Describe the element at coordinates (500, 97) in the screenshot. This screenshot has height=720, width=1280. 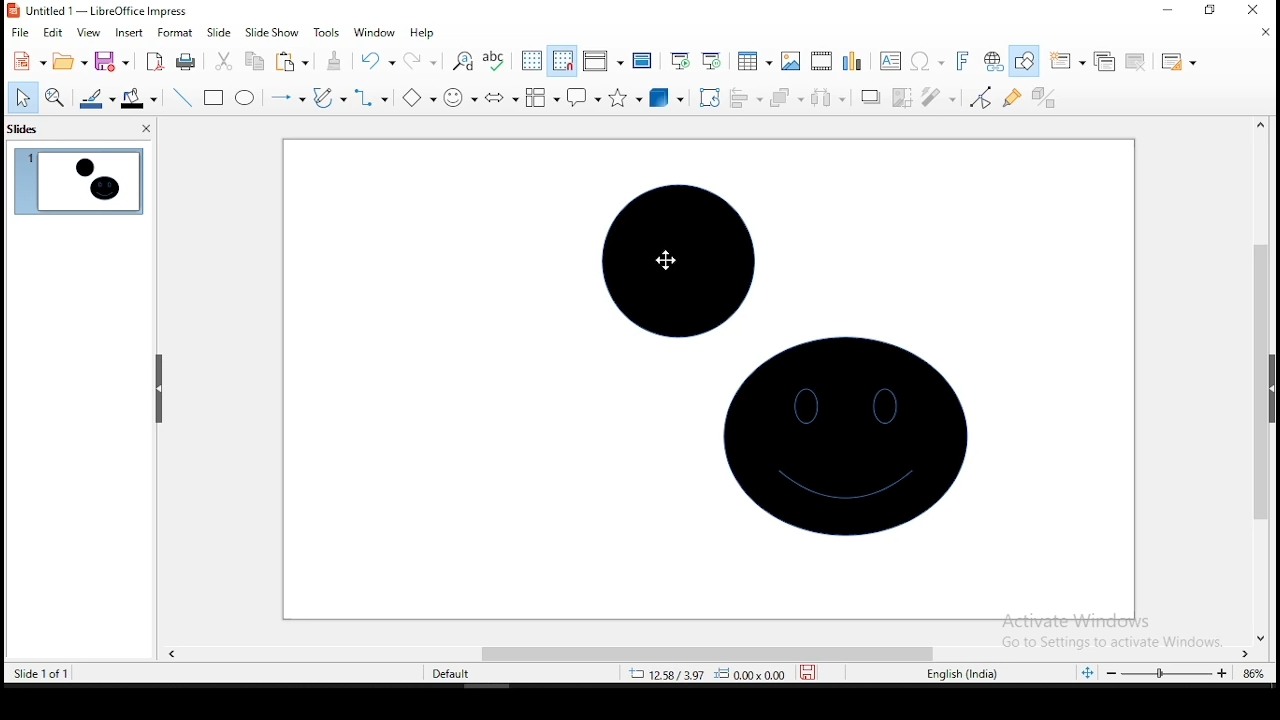
I see `block arrows` at that location.